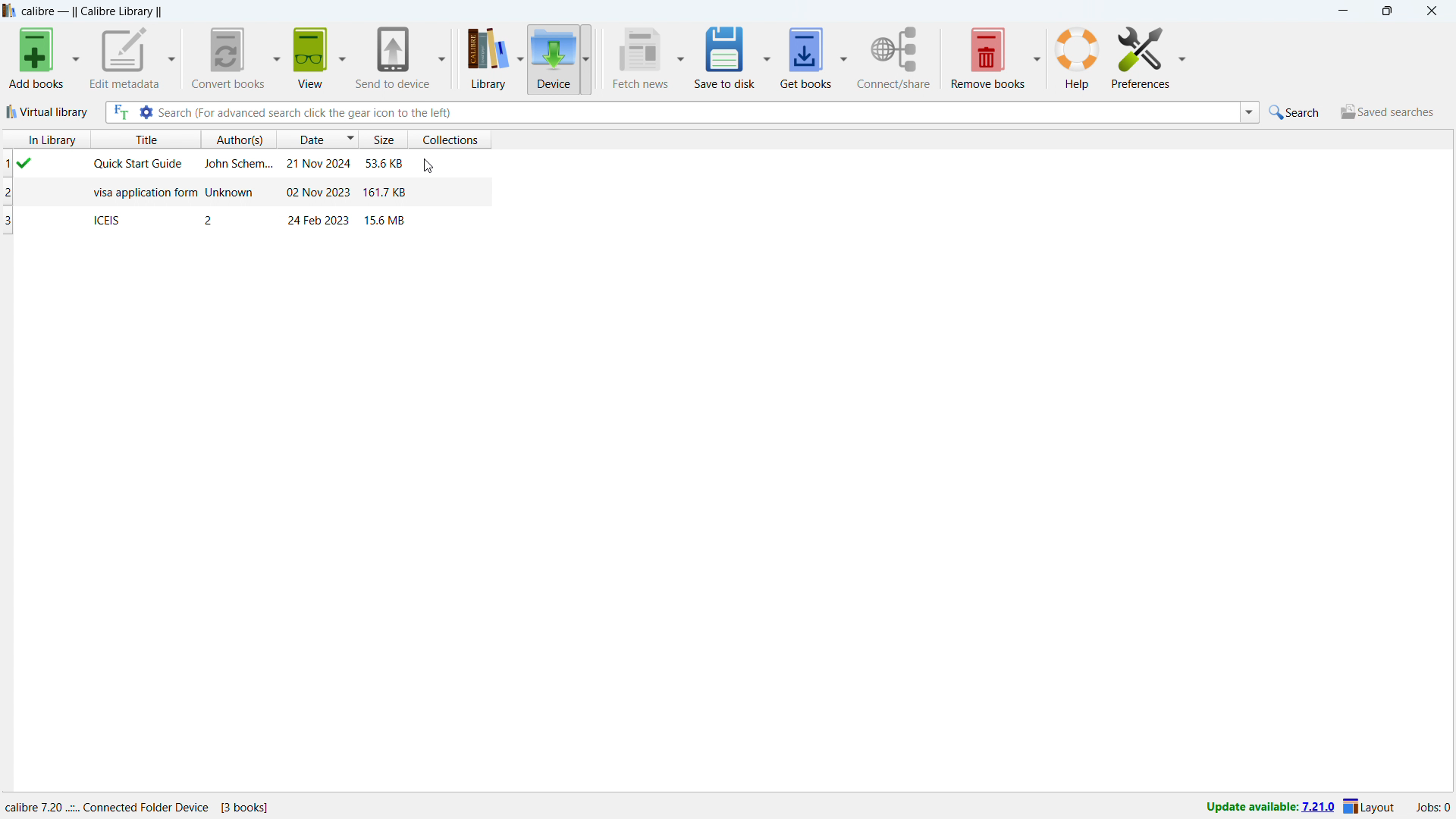 This screenshot has height=819, width=1456. I want to click on preferences, so click(1141, 55).